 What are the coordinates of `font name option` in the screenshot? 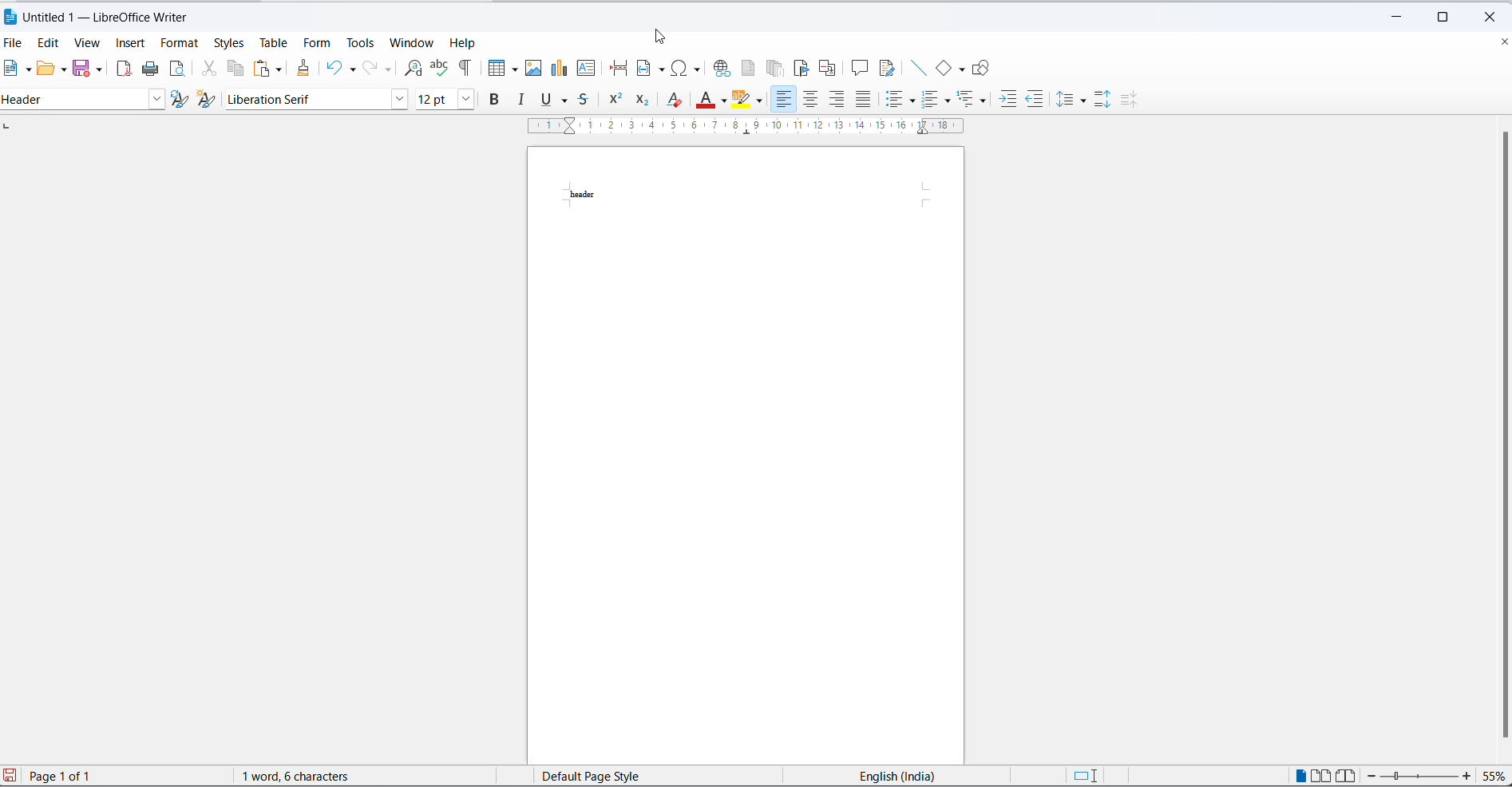 It's located at (398, 100).